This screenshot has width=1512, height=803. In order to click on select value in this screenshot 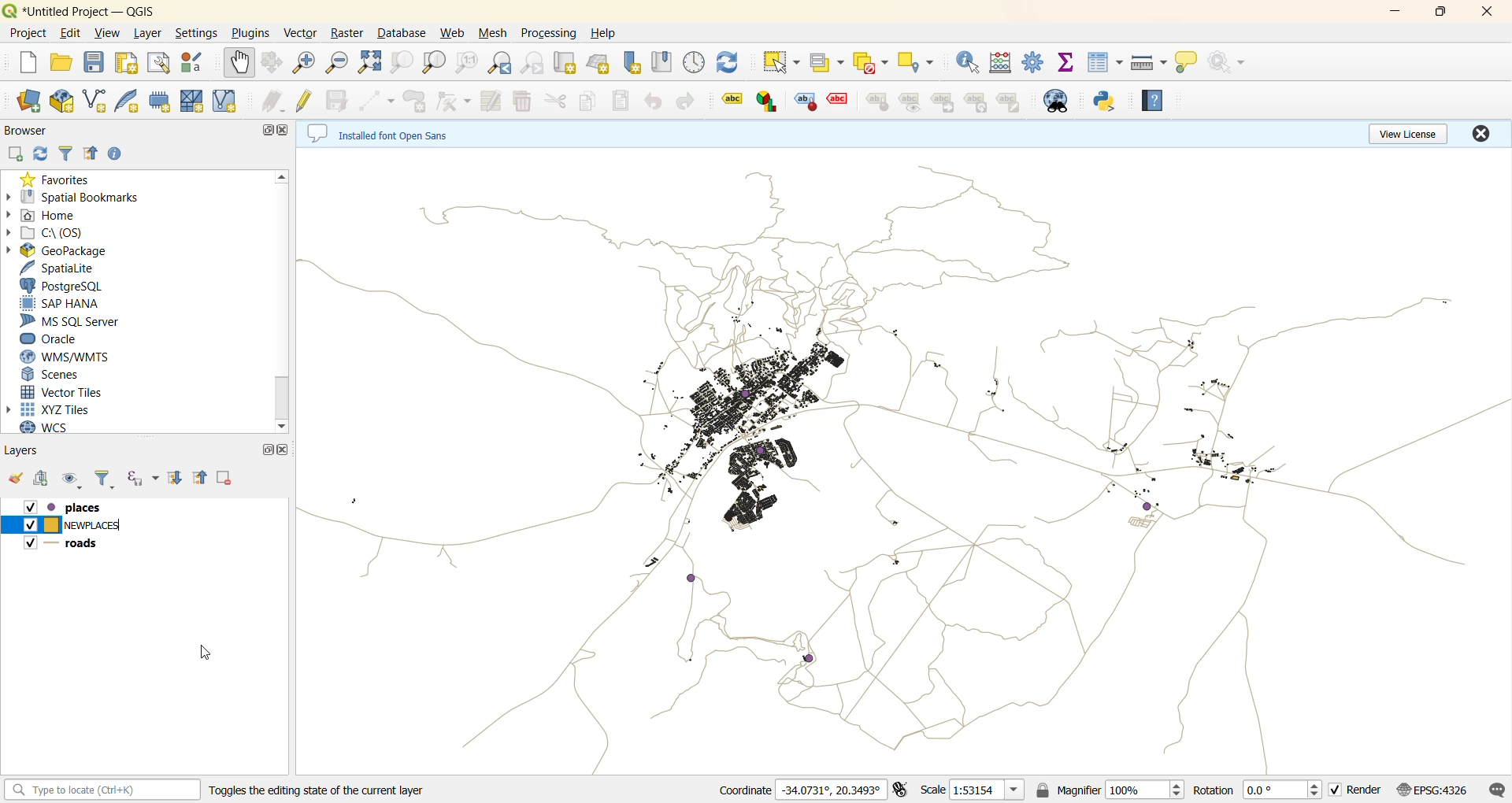, I will do `click(826, 66)`.